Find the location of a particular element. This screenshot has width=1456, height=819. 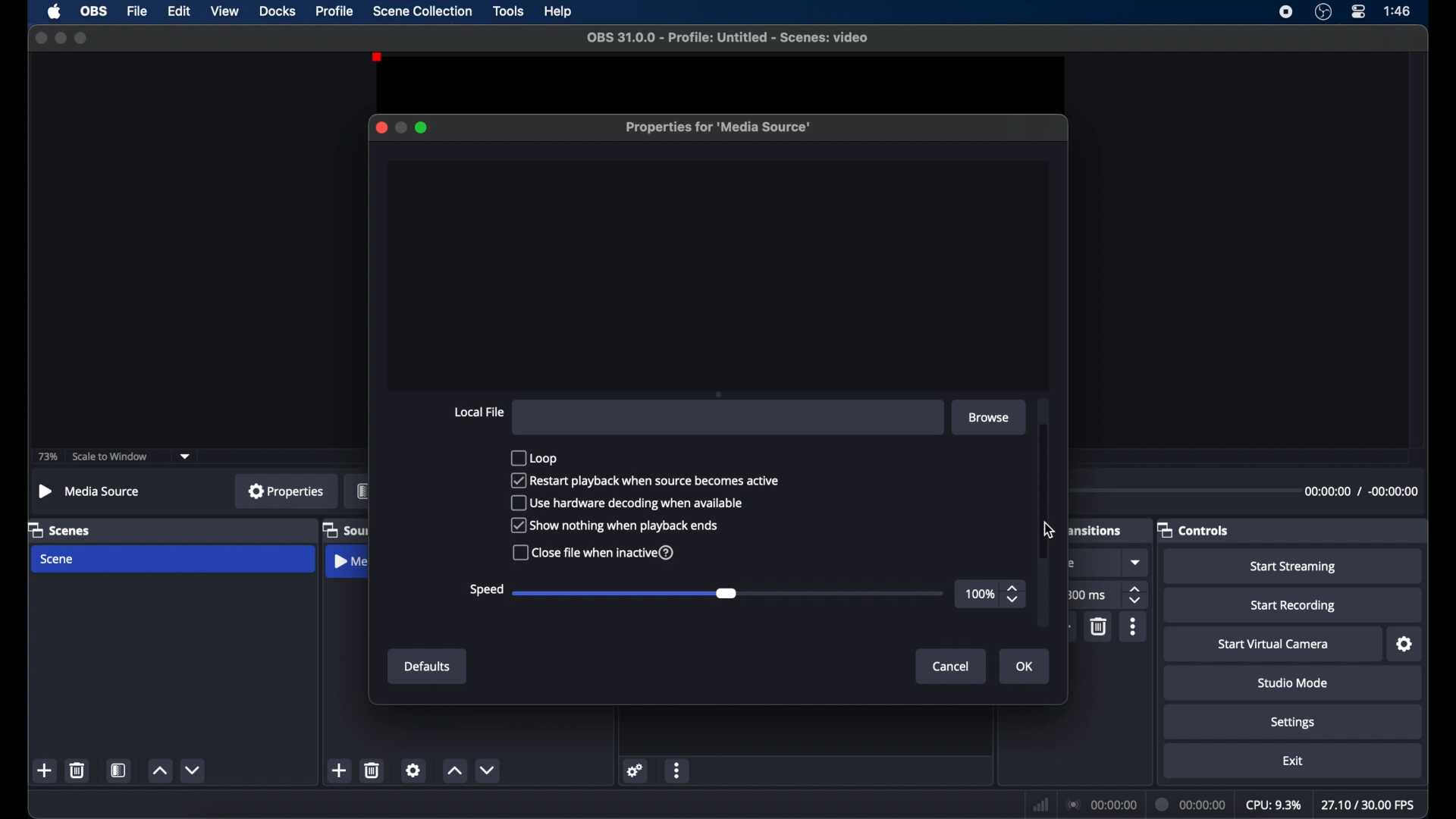

decrement is located at coordinates (194, 770).